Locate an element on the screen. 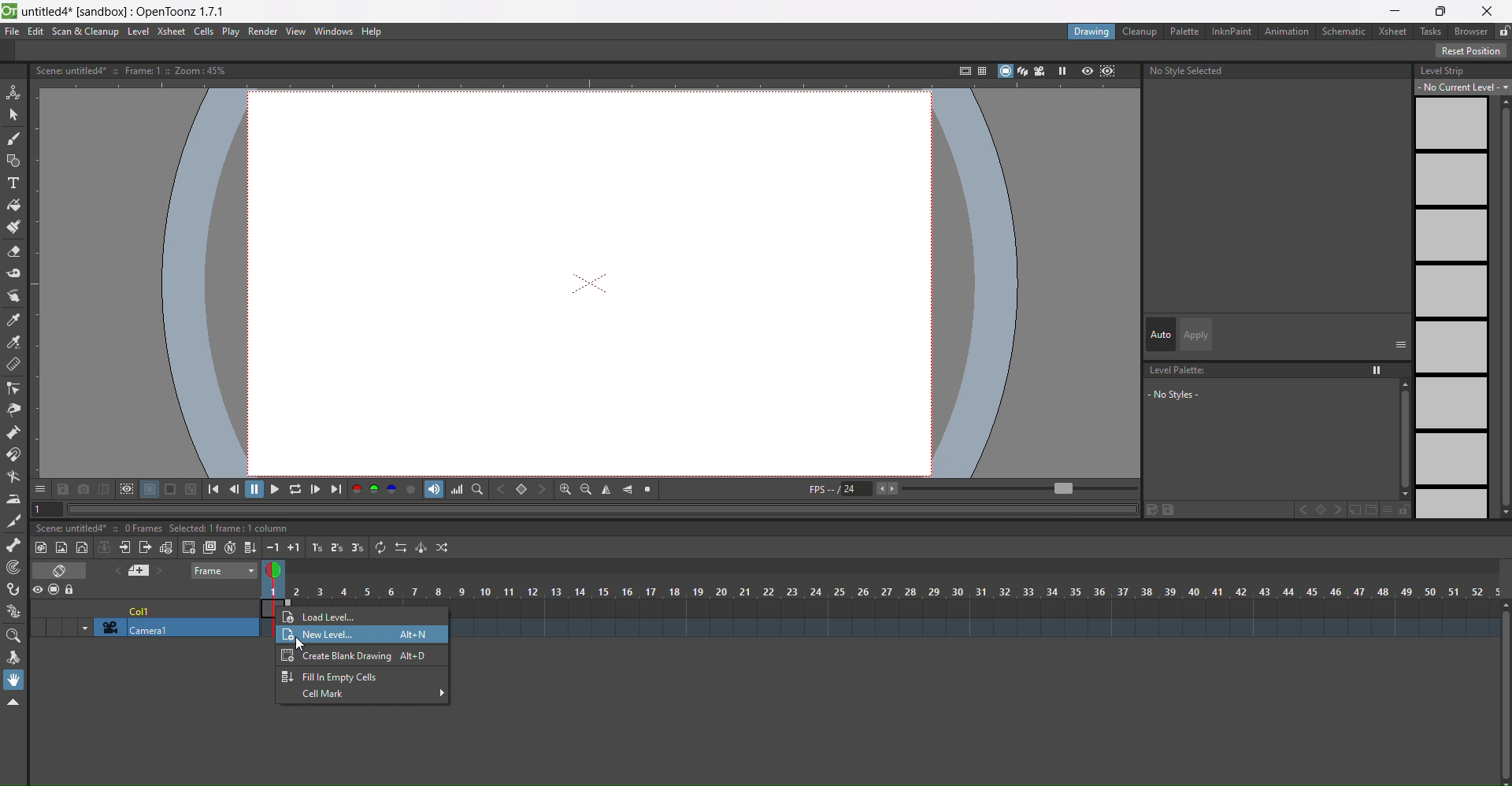 The image size is (1512, 786). magnet tool is located at coordinates (14, 454).